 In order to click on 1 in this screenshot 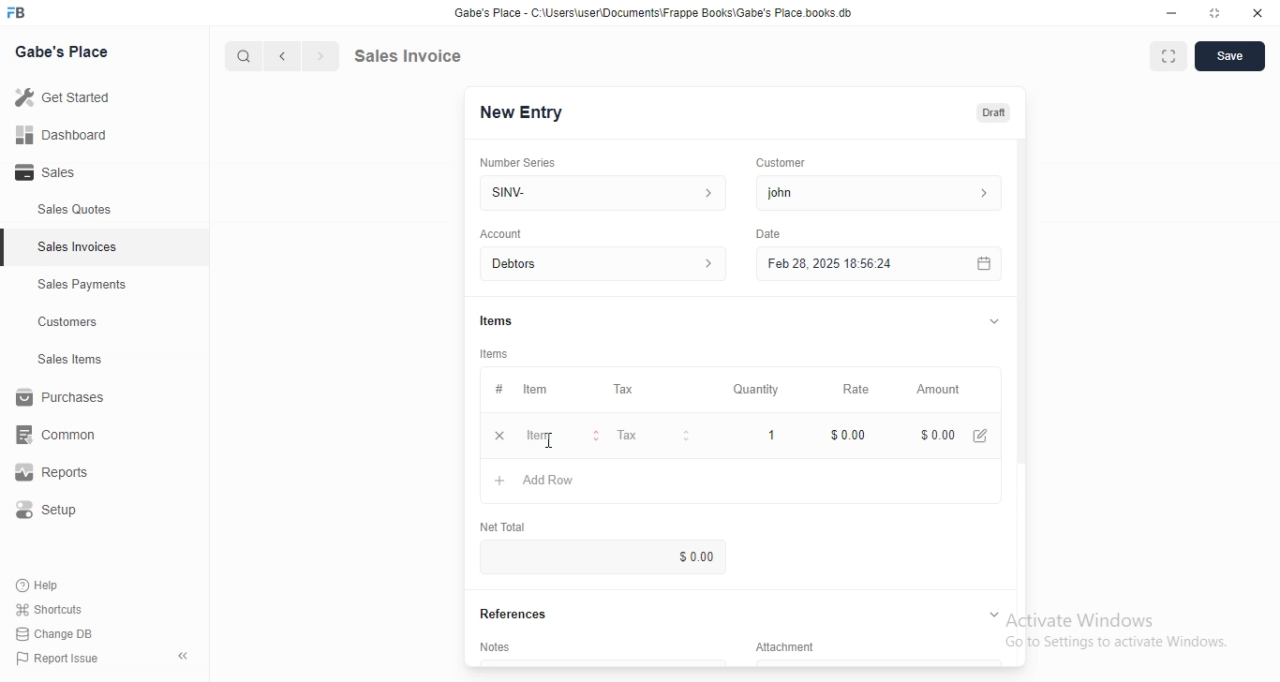, I will do `click(773, 434)`.